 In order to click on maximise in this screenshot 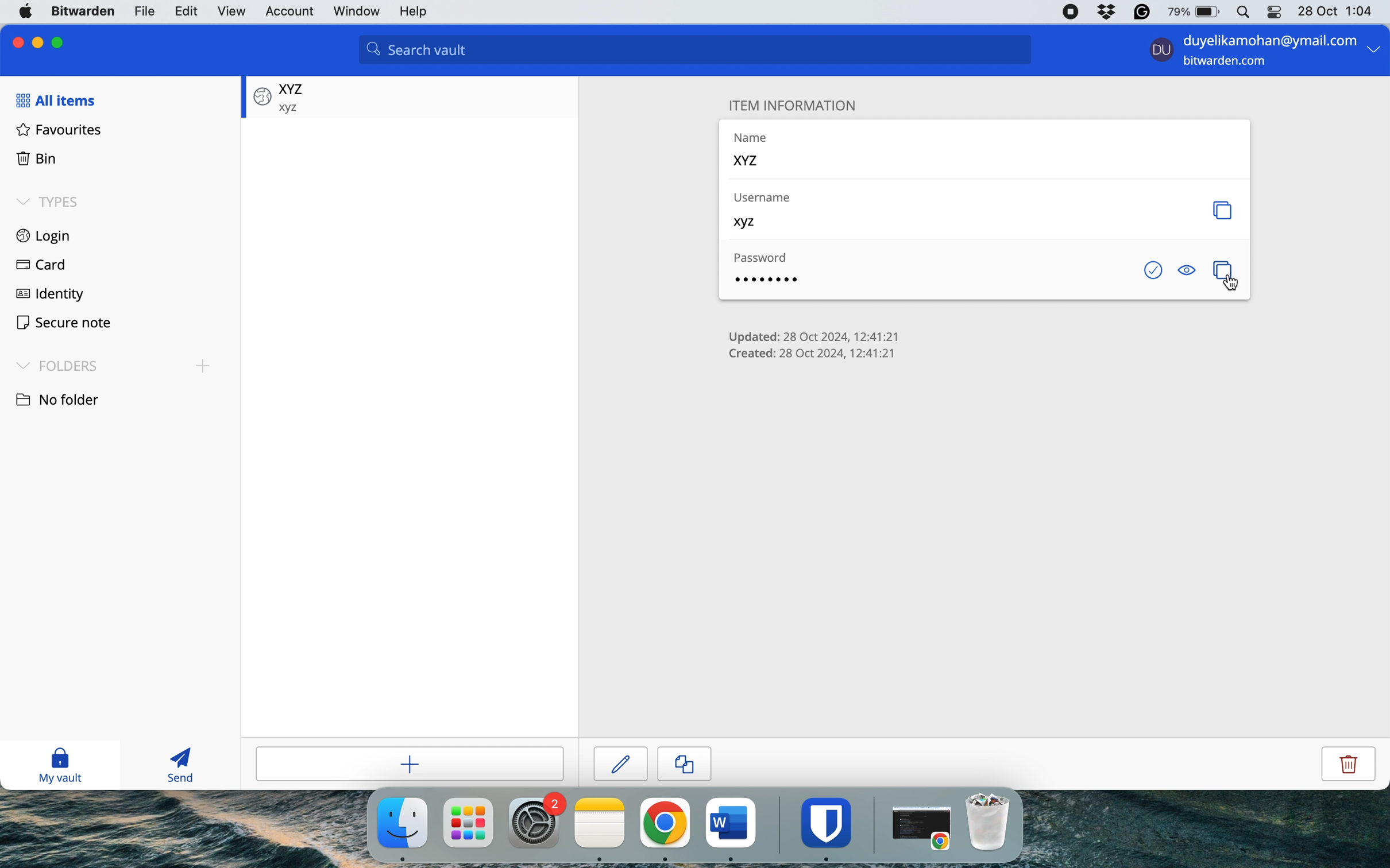, I will do `click(61, 40)`.